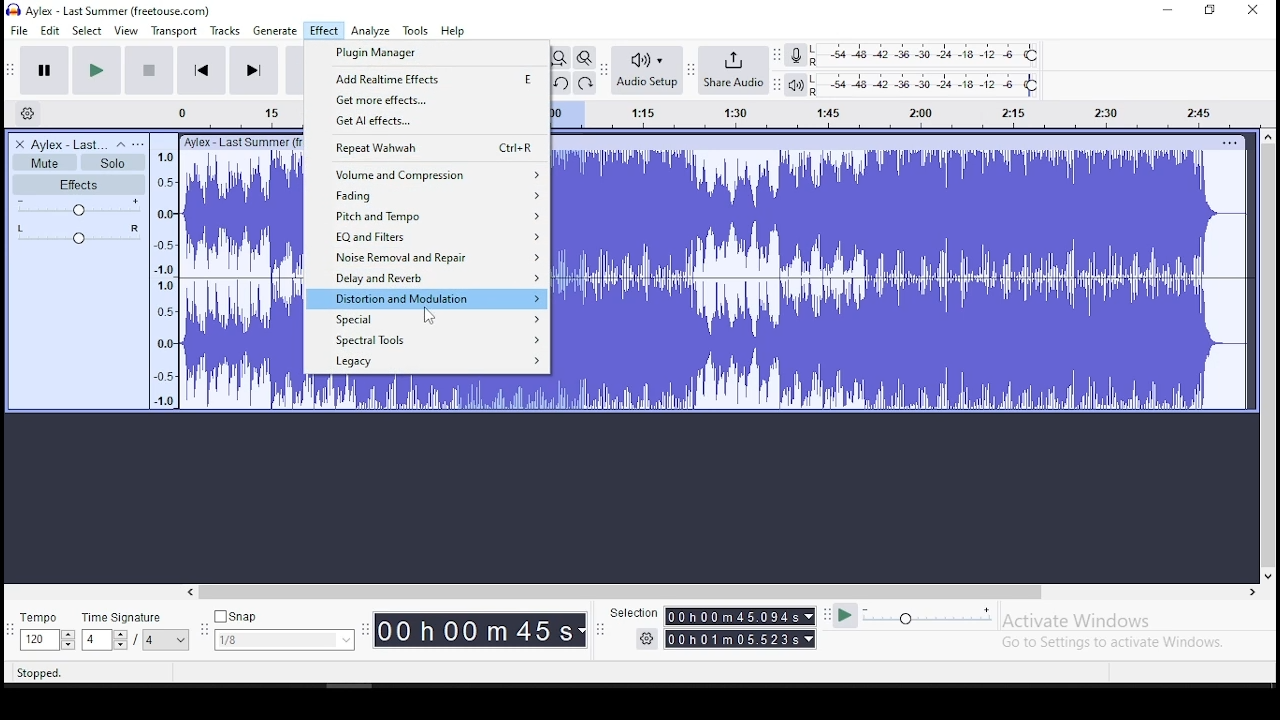 The width and height of the screenshot is (1280, 720). What do you see at coordinates (648, 70) in the screenshot?
I see `audio setup` at bounding box center [648, 70].